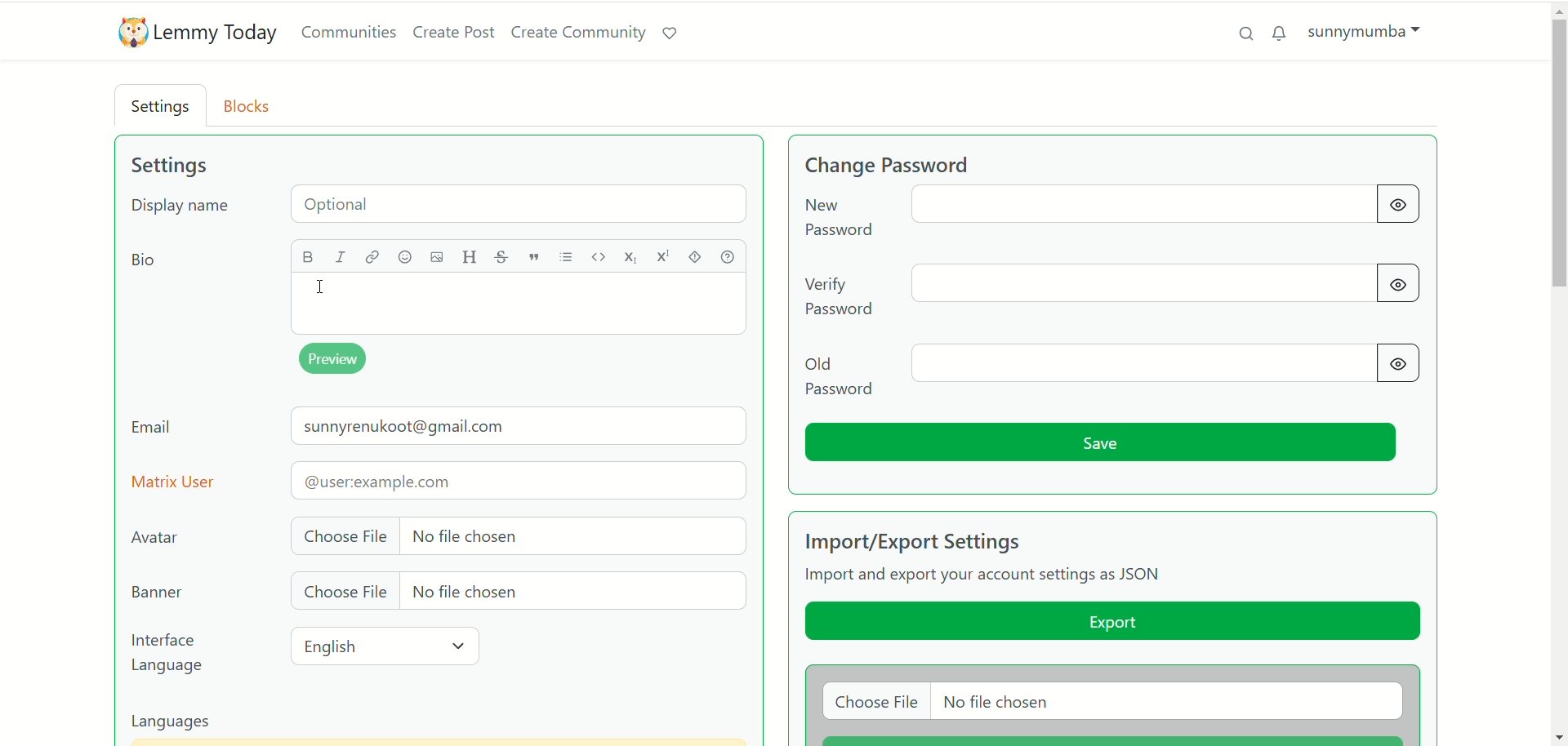  What do you see at coordinates (310, 255) in the screenshot?
I see `bold` at bounding box center [310, 255].